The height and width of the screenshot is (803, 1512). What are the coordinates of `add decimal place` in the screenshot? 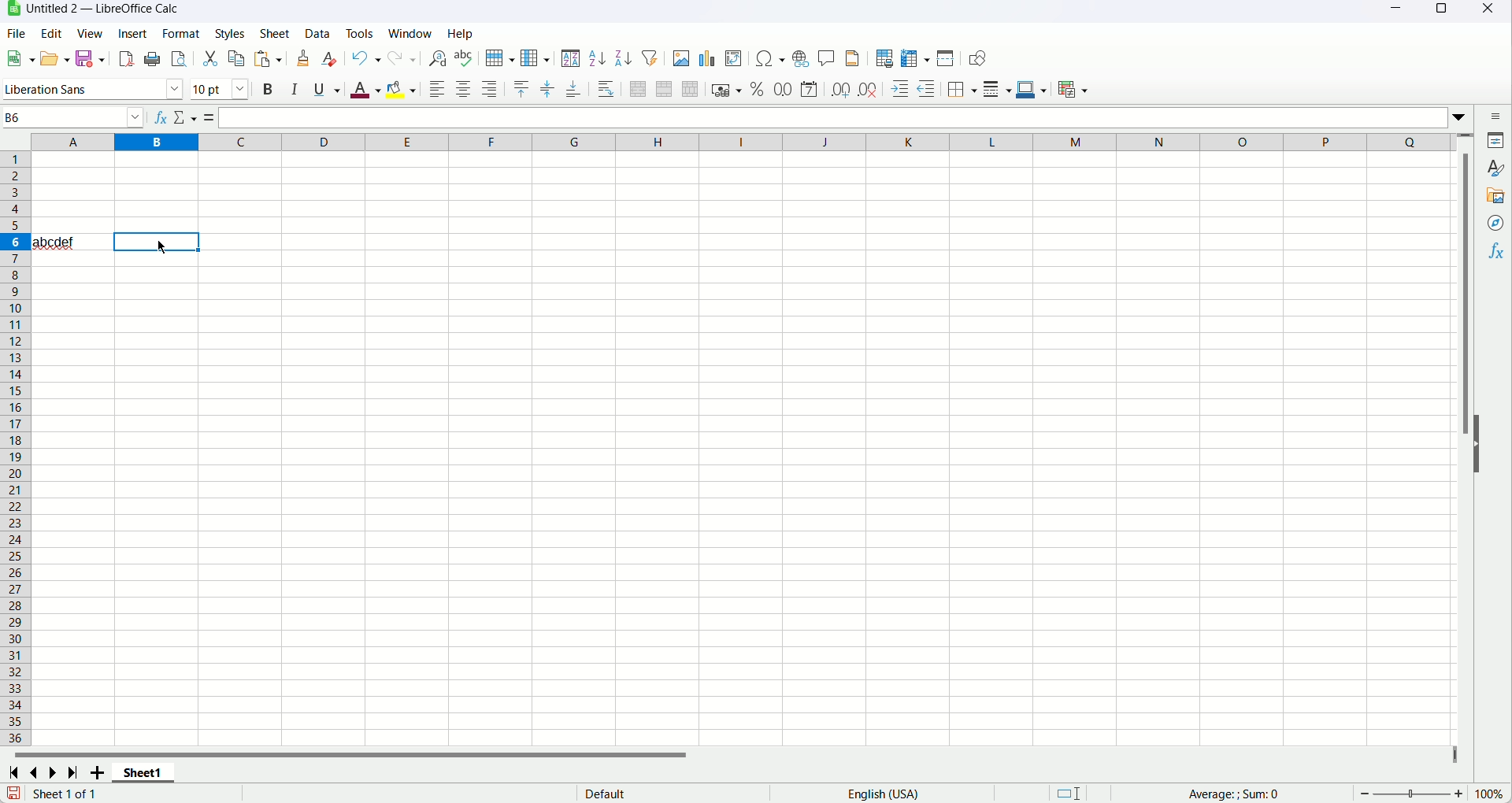 It's located at (840, 91).